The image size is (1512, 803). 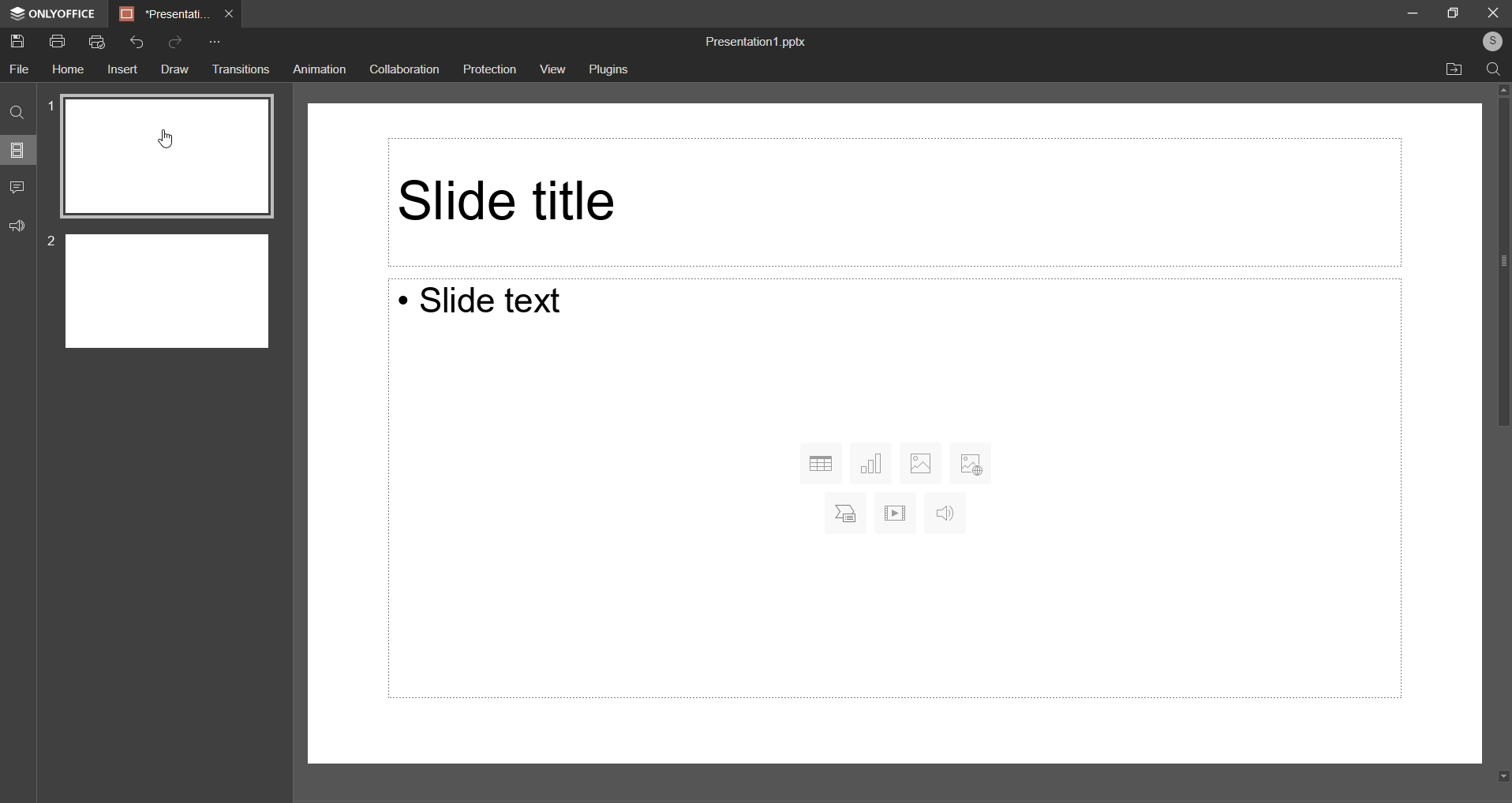 I want to click on Slide Text, so click(x=494, y=304).